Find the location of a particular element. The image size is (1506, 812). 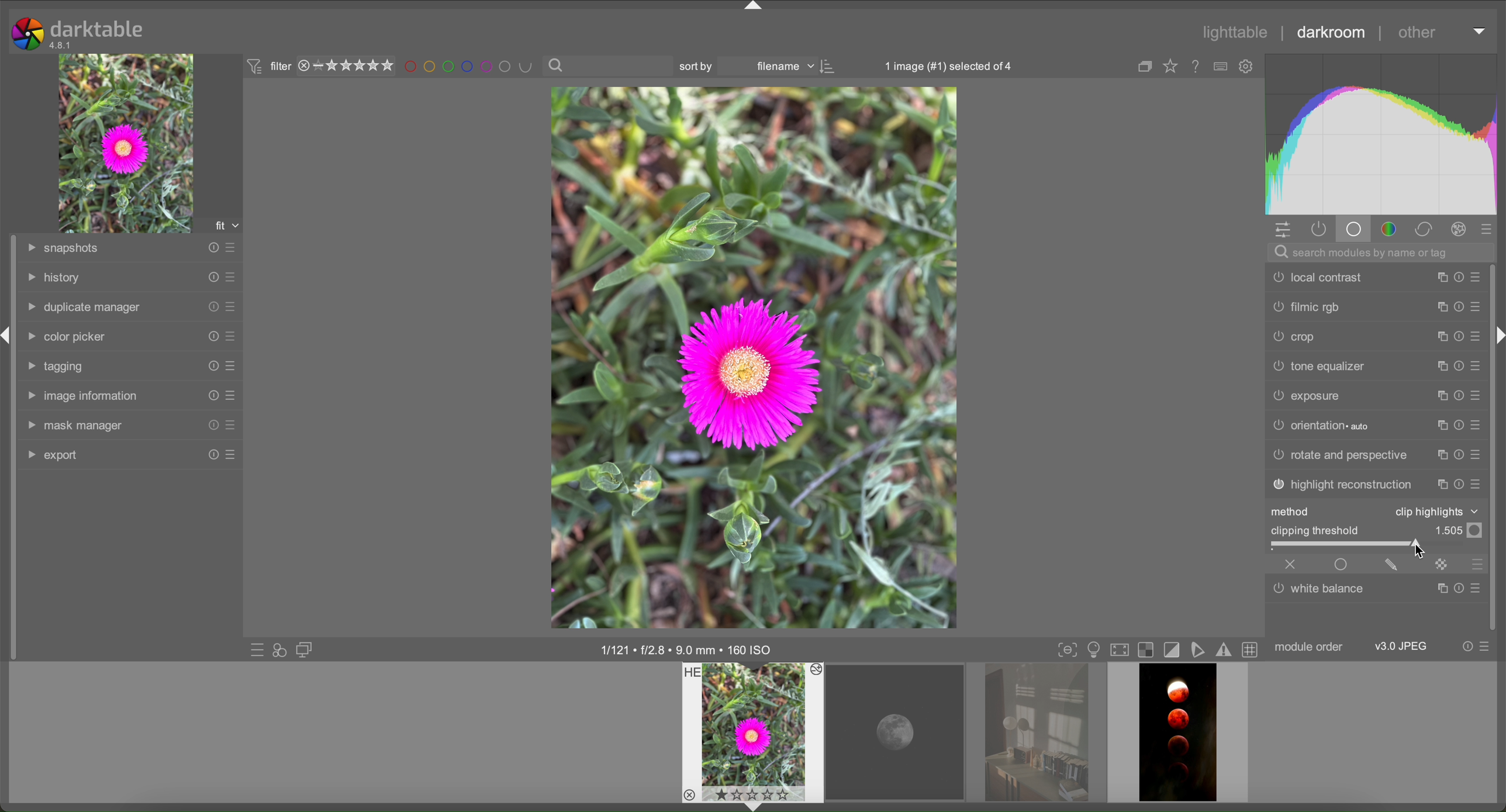

image is located at coordinates (755, 358).